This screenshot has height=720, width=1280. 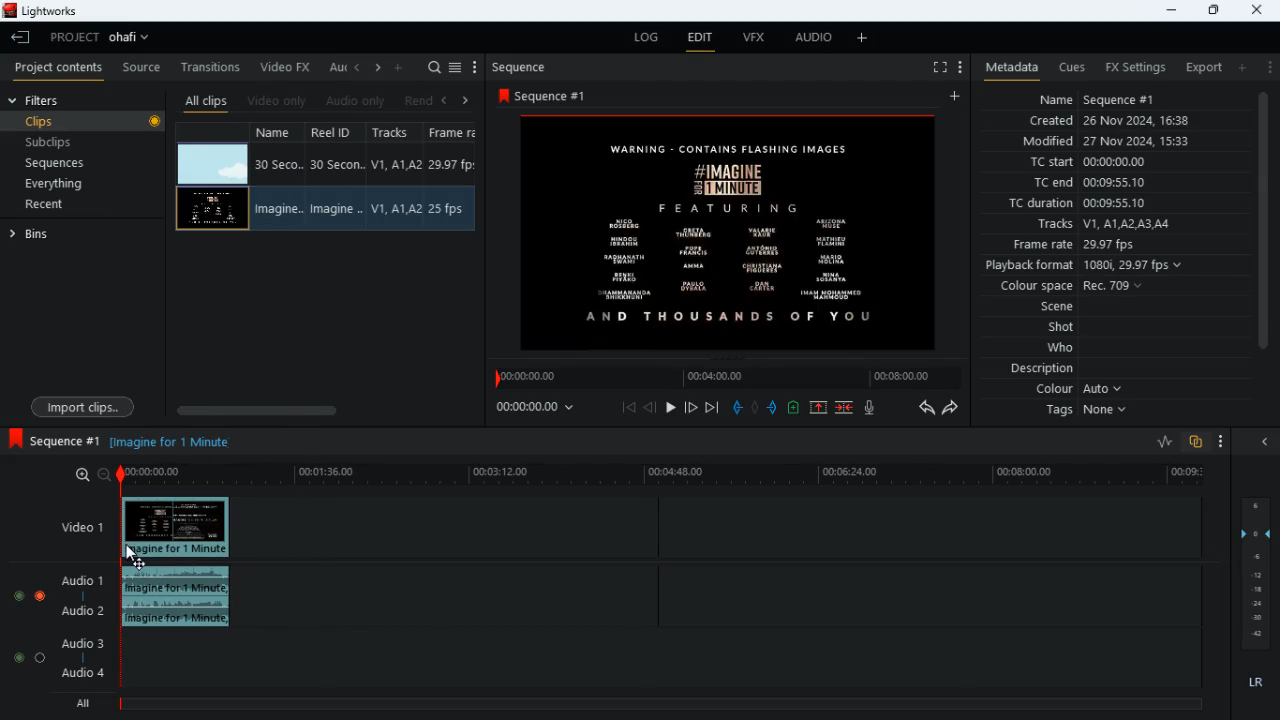 I want to click on tracks, so click(x=394, y=134).